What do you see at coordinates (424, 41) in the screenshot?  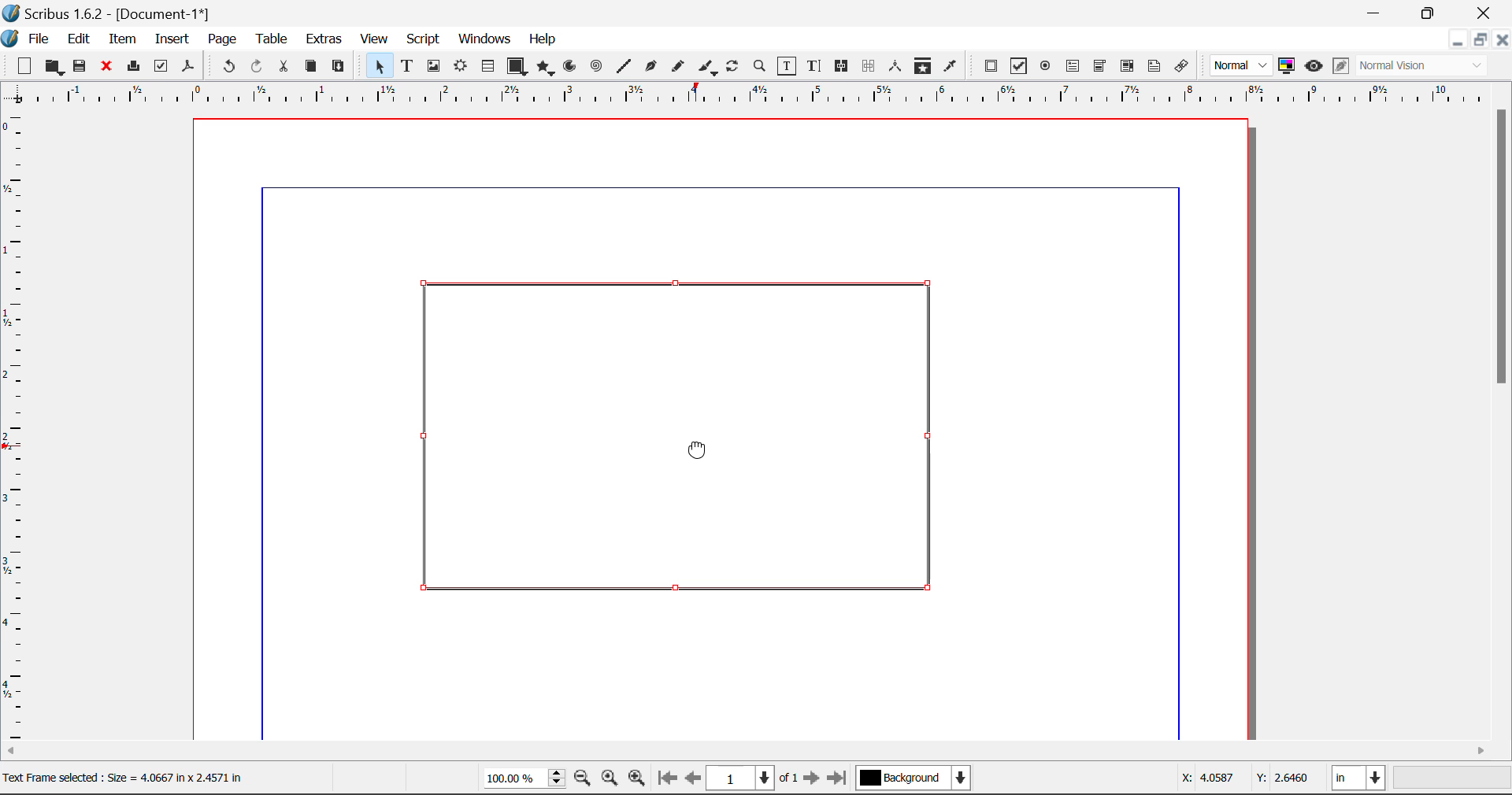 I see `Script` at bounding box center [424, 41].